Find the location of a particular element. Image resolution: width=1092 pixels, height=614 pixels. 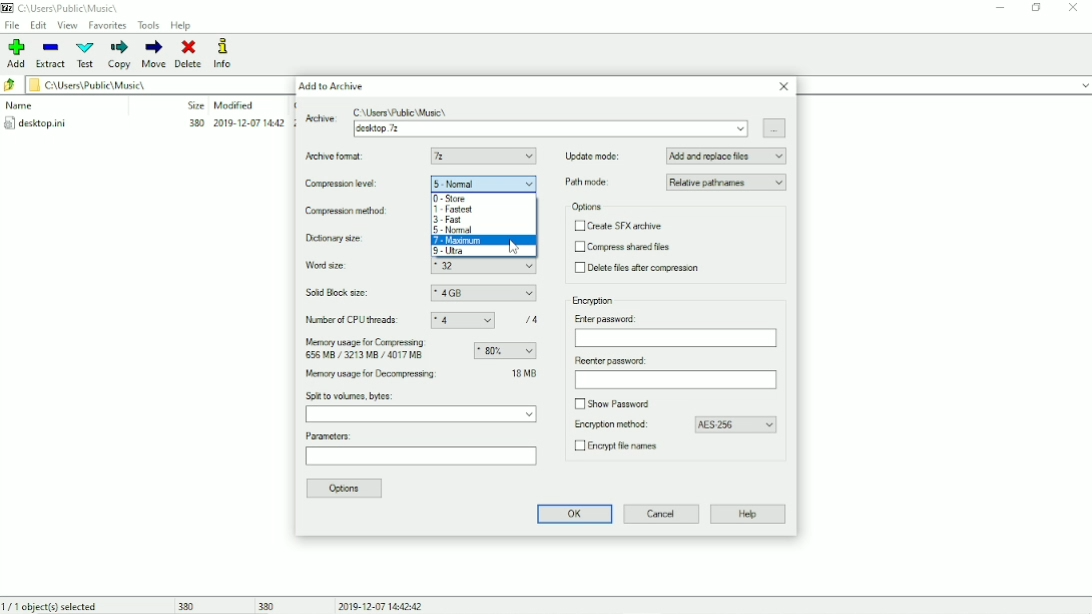

Minimize is located at coordinates (1001, 8).